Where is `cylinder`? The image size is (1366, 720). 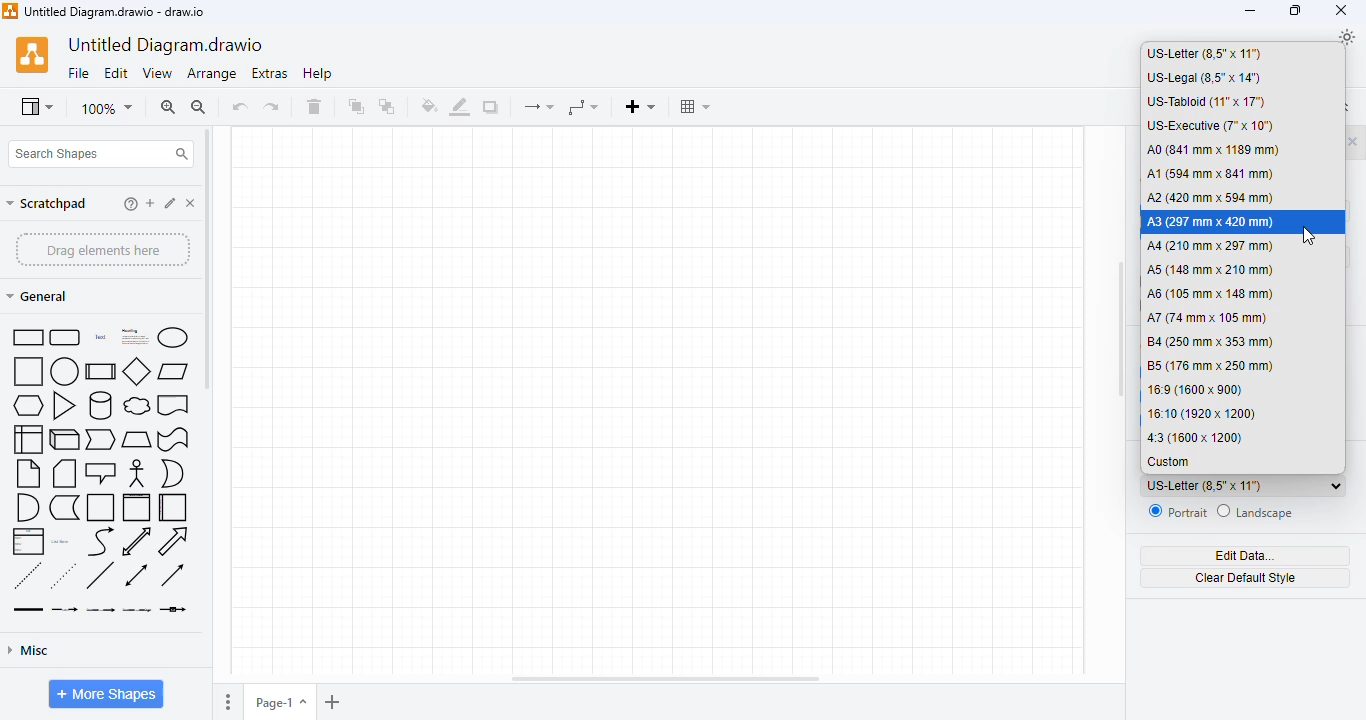
cylinder is located at coordinates (101, 405).